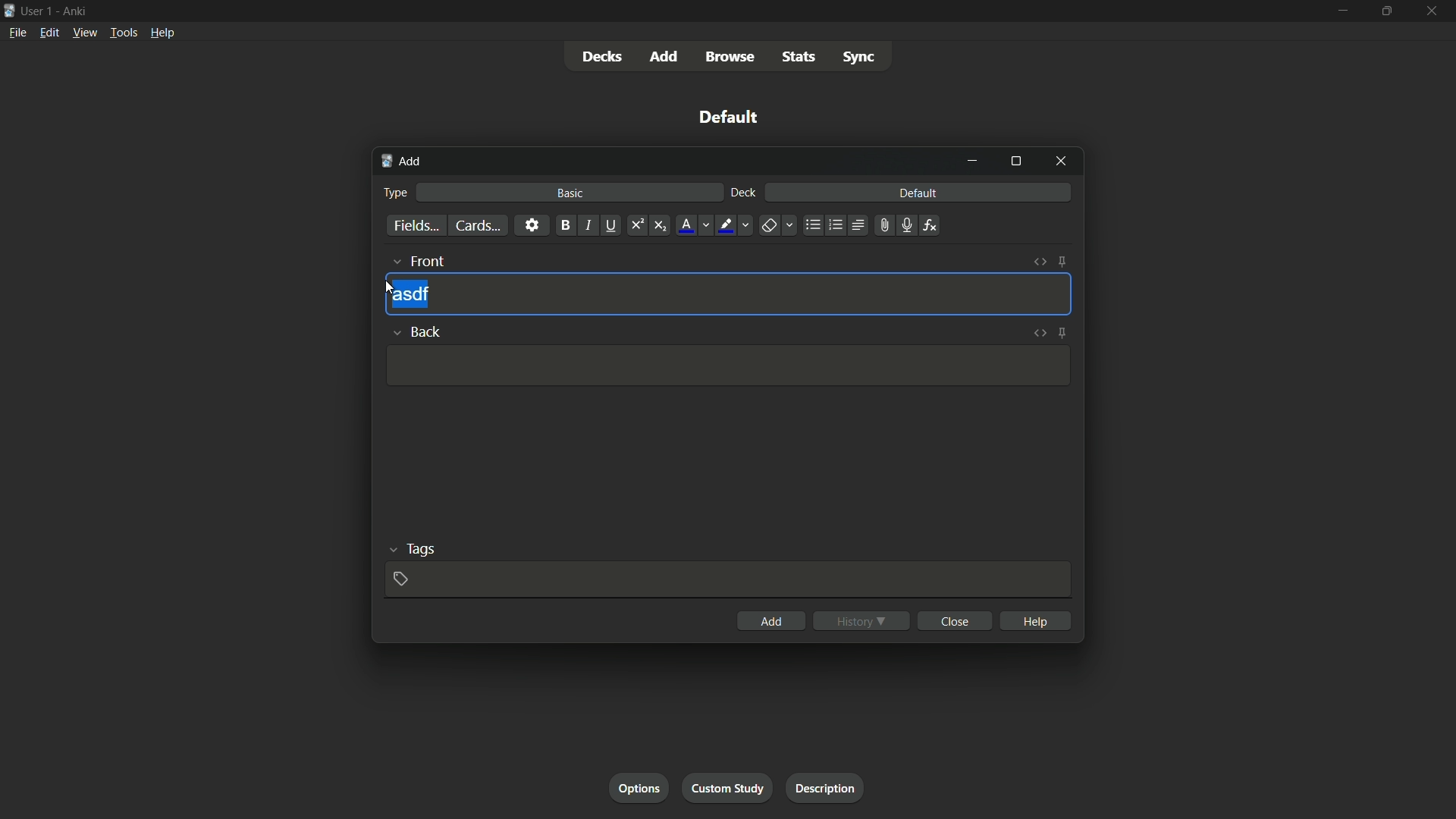  What do you see at coordinates (122, 34) in the screenshot?
I see `tools` at bounding box center [122, 34].